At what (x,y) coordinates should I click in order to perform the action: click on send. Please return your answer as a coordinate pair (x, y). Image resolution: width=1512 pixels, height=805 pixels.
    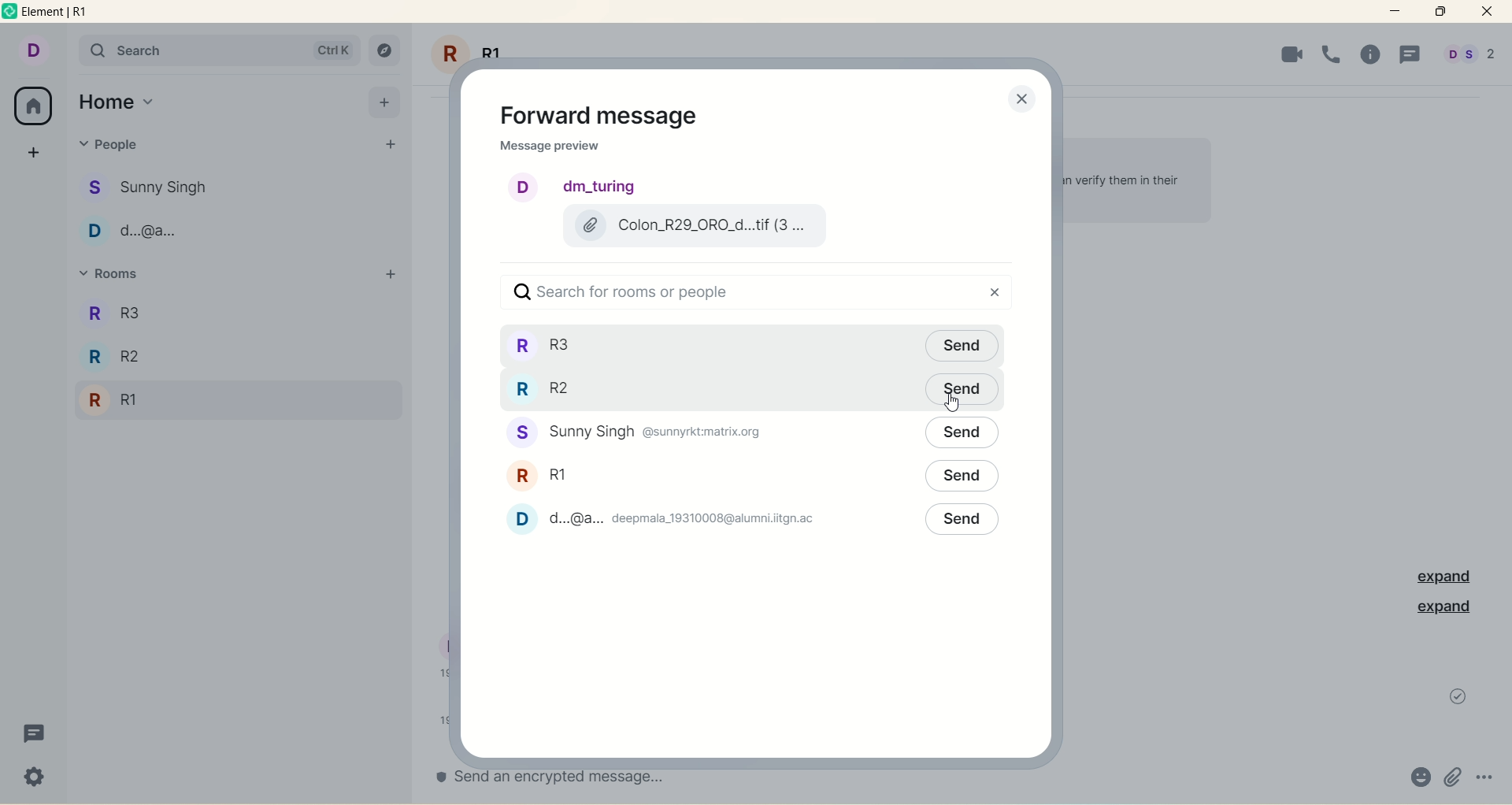
    Looking at the image, I should click on (962, 433).